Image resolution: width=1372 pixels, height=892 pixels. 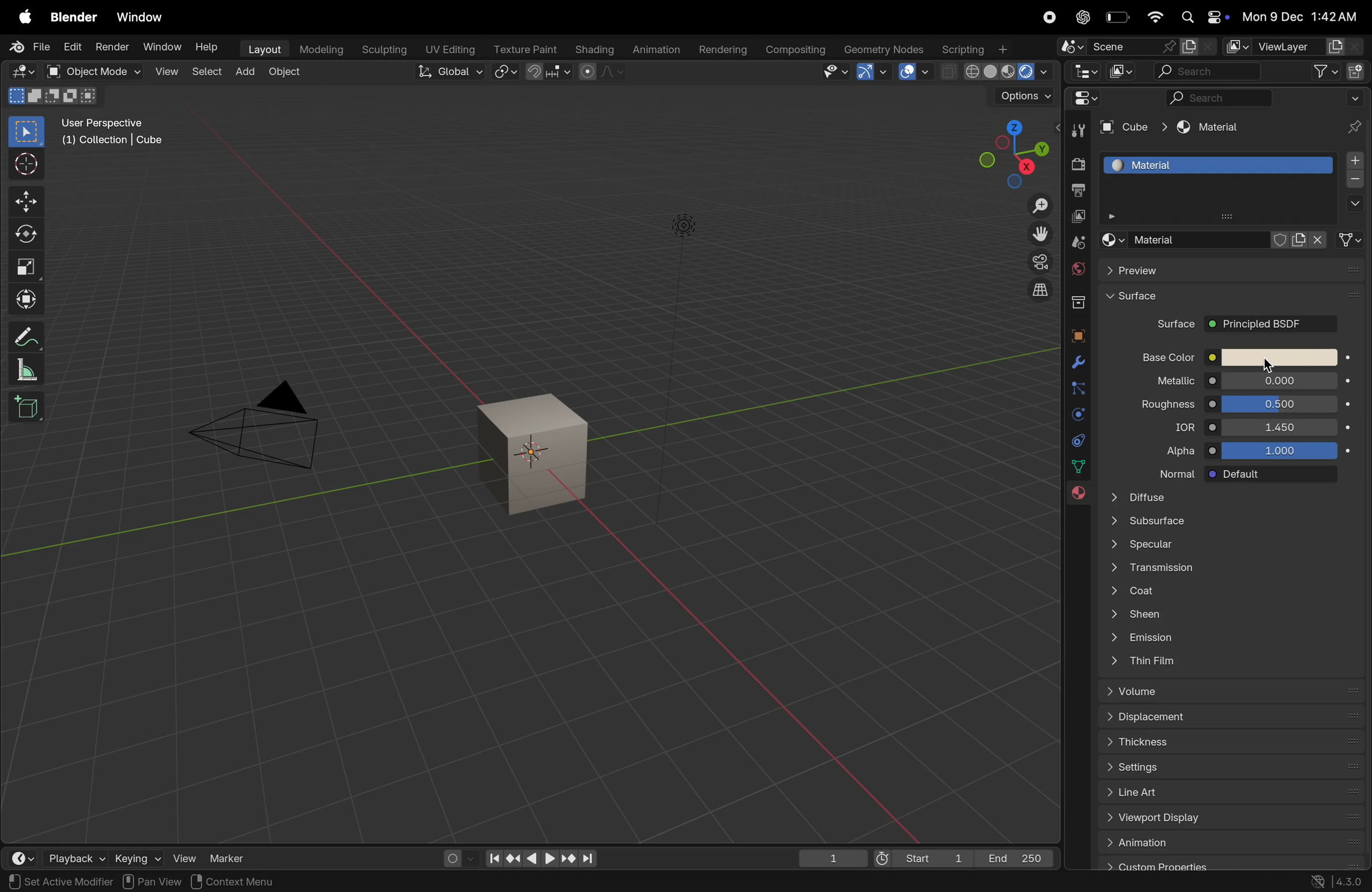 I want to click on rendering, so click(x=723, y=50).